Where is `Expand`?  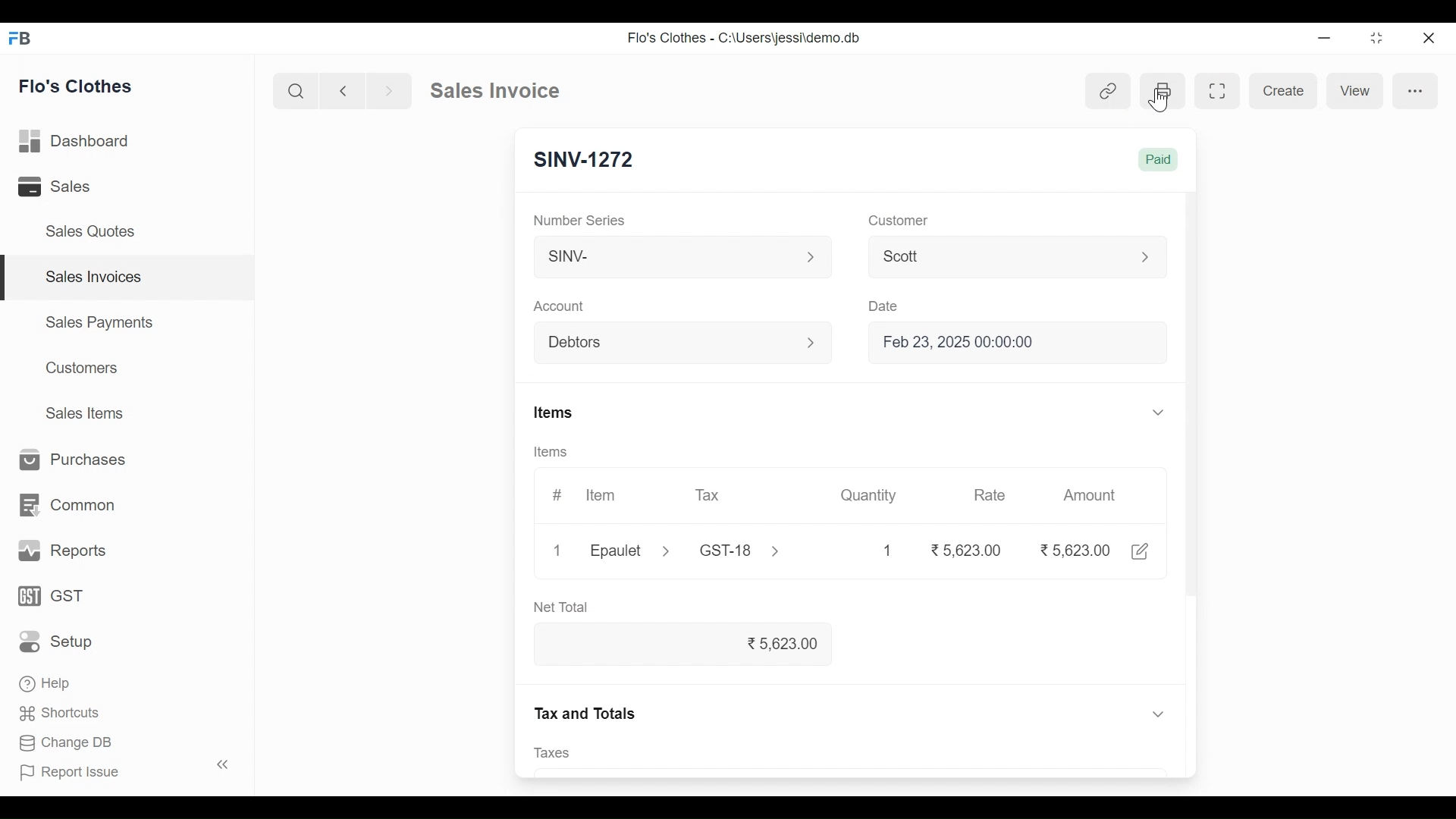 Expand is located at coordinates (812, 342).